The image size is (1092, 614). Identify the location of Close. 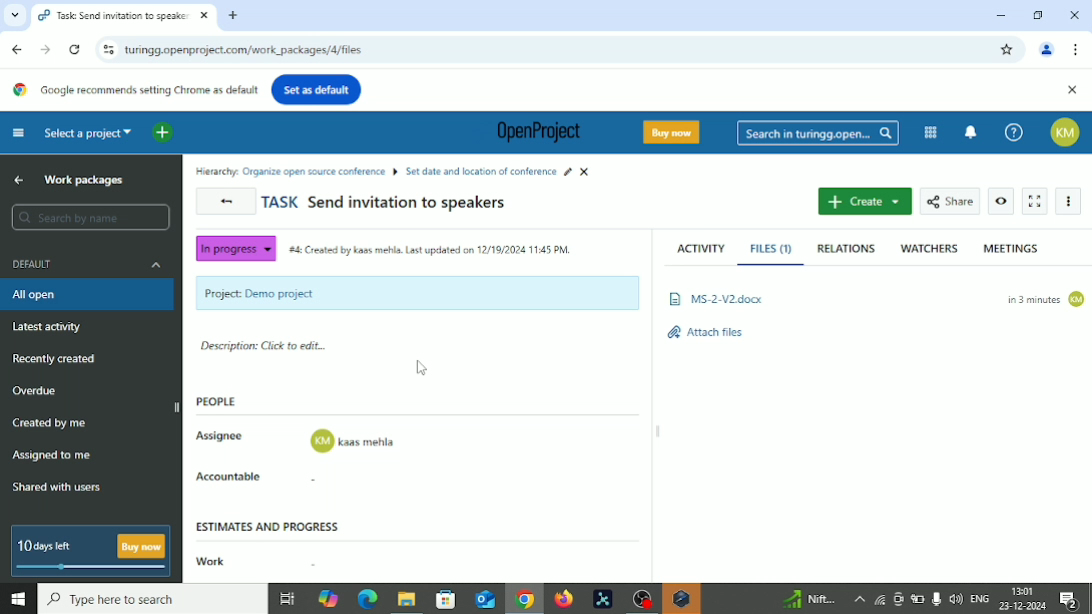
(1074, 16).